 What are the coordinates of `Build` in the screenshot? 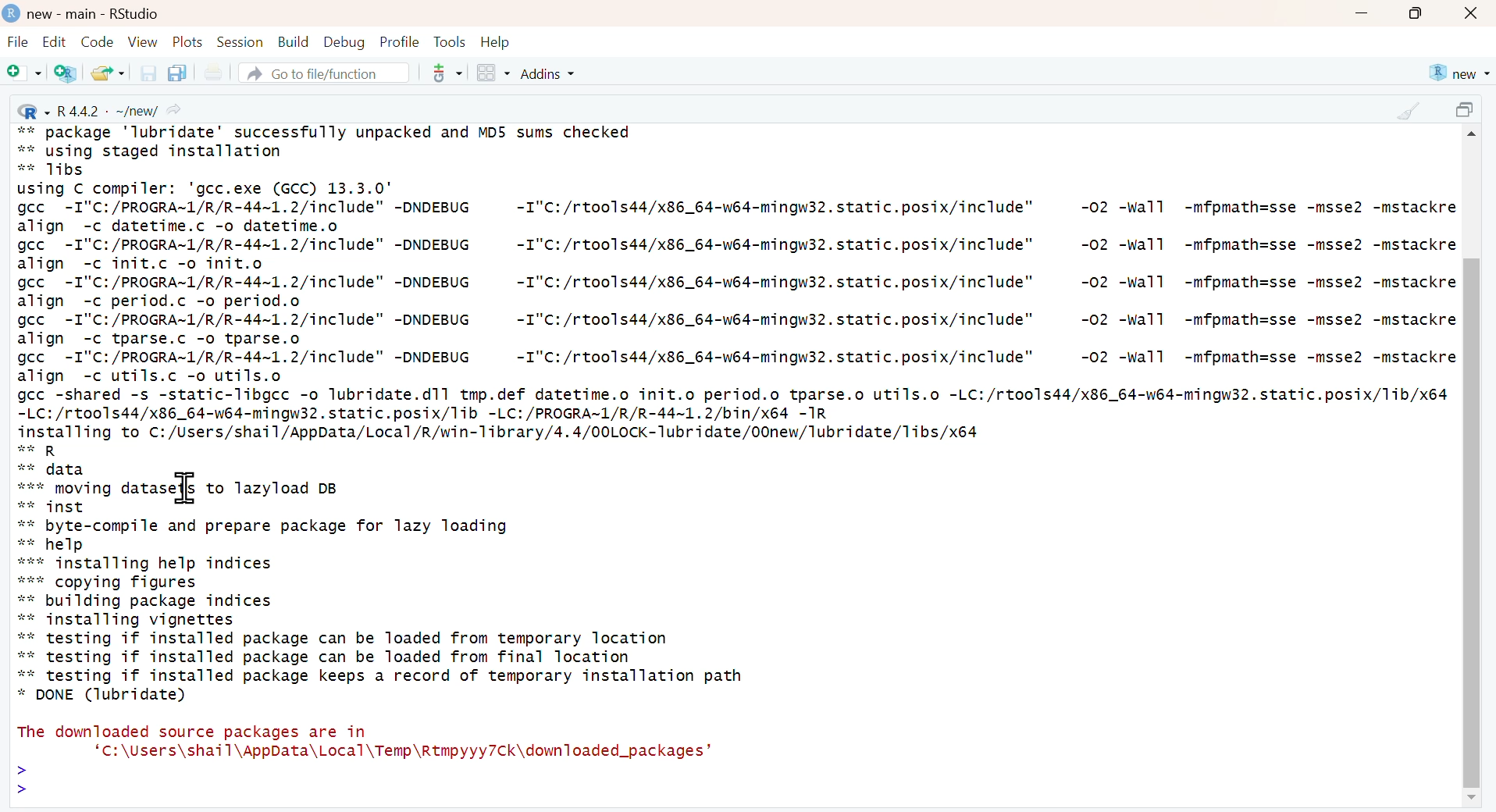 It's located at (293, 42).